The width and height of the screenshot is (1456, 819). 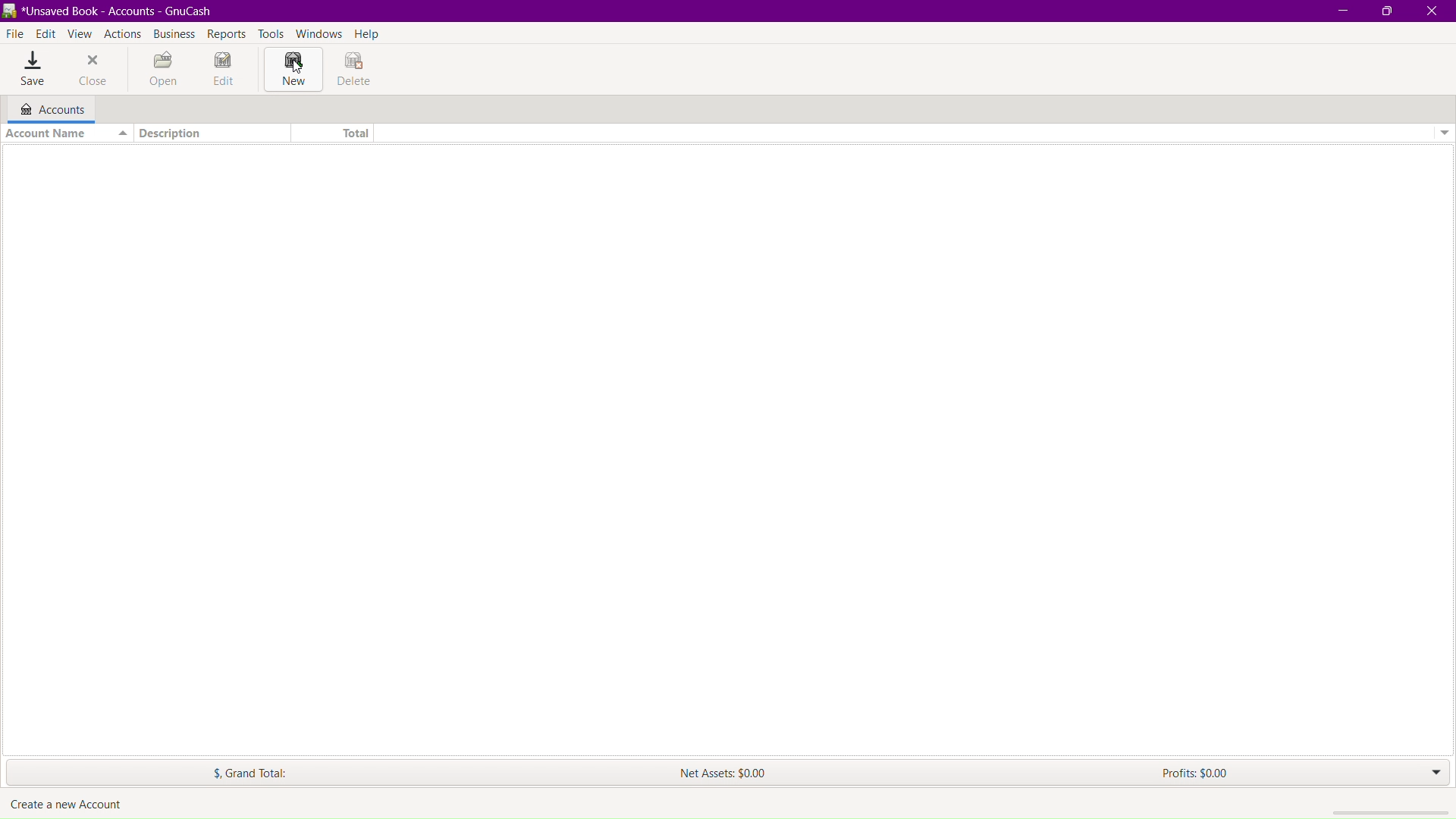 I want to click on Close, so click(x=99, y=71).